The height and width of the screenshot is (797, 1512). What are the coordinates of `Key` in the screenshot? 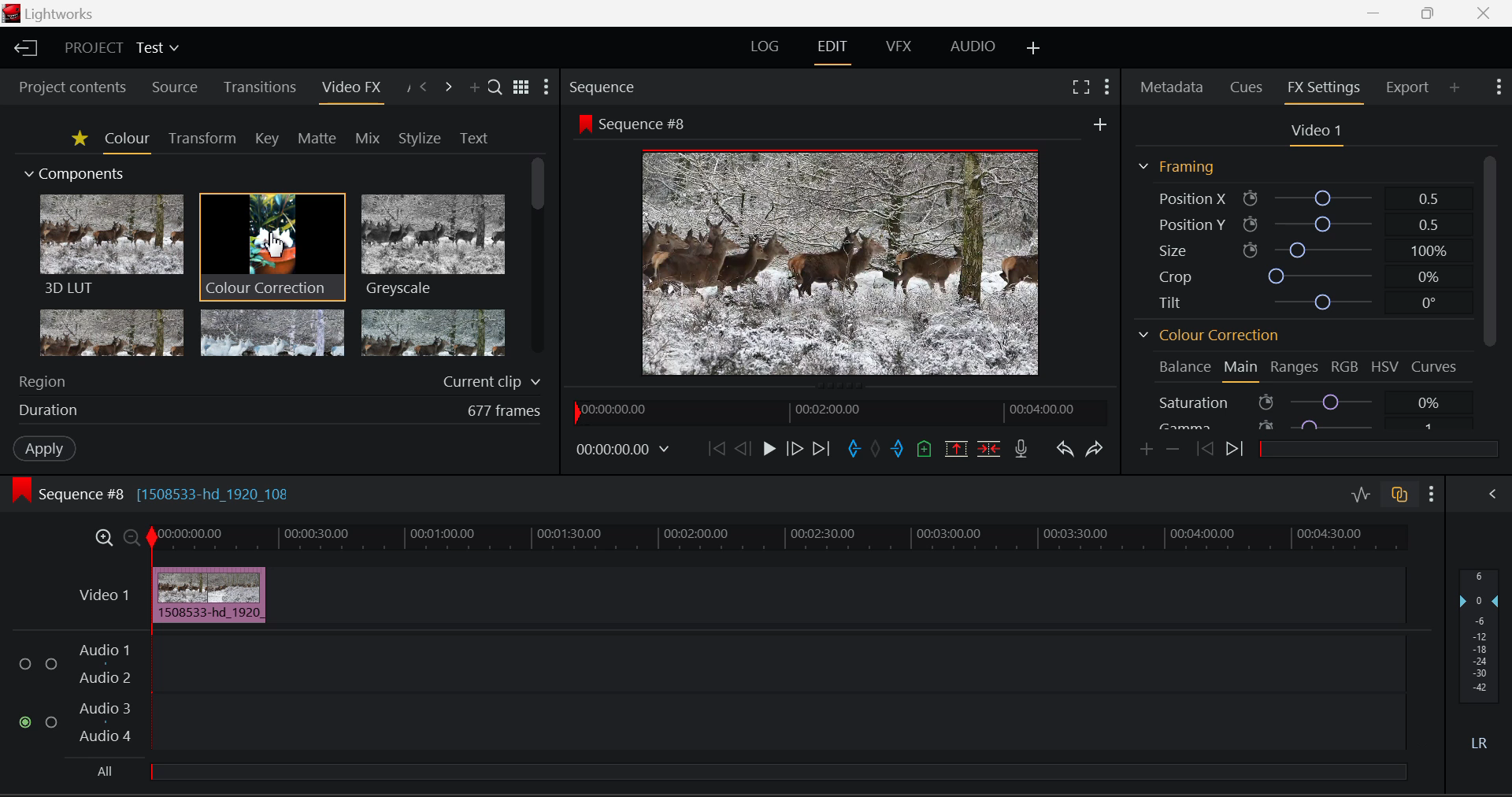 It's located at (268, 139).